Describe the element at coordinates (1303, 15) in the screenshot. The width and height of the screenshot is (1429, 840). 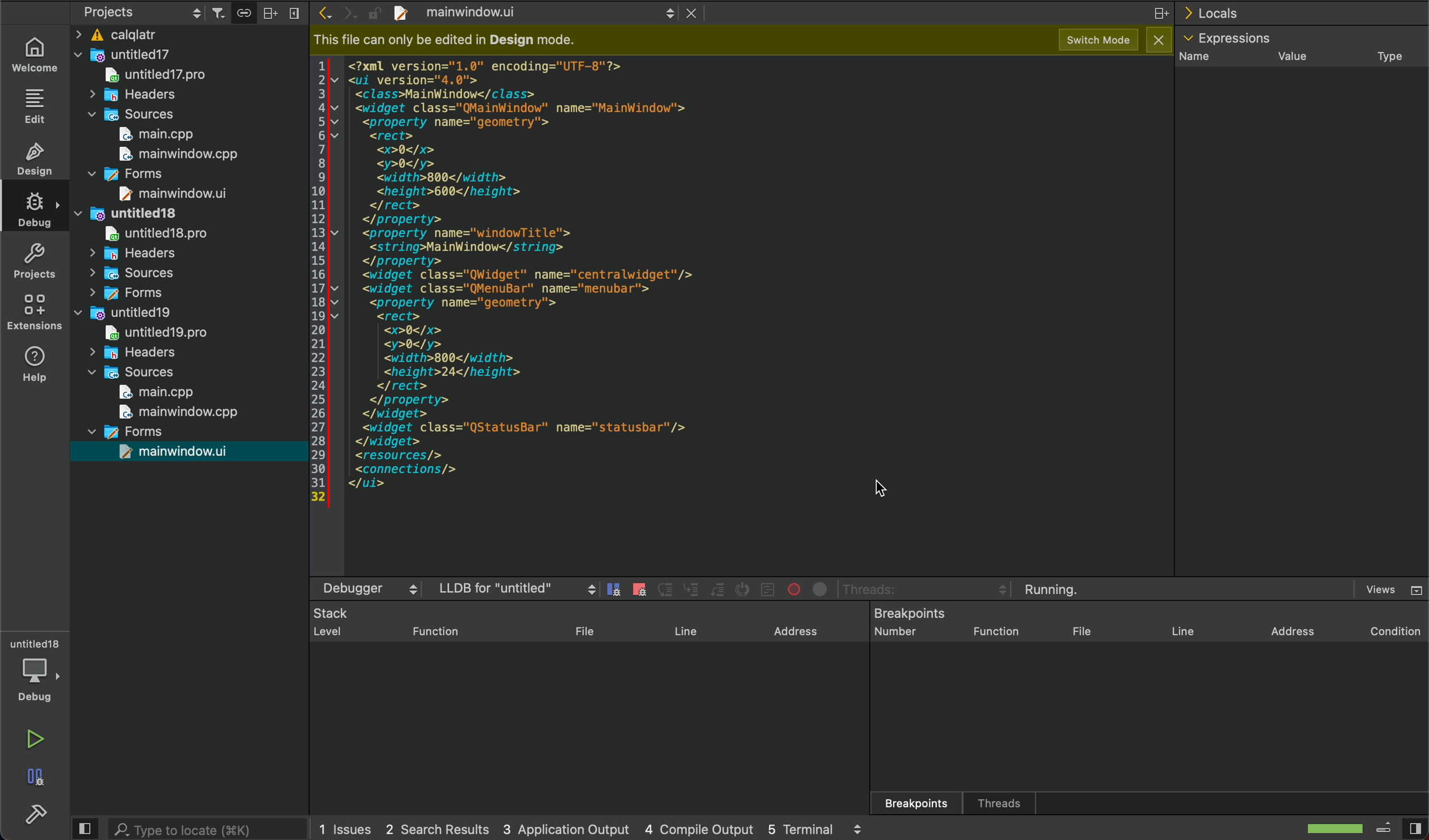
I see `locals` at that location.